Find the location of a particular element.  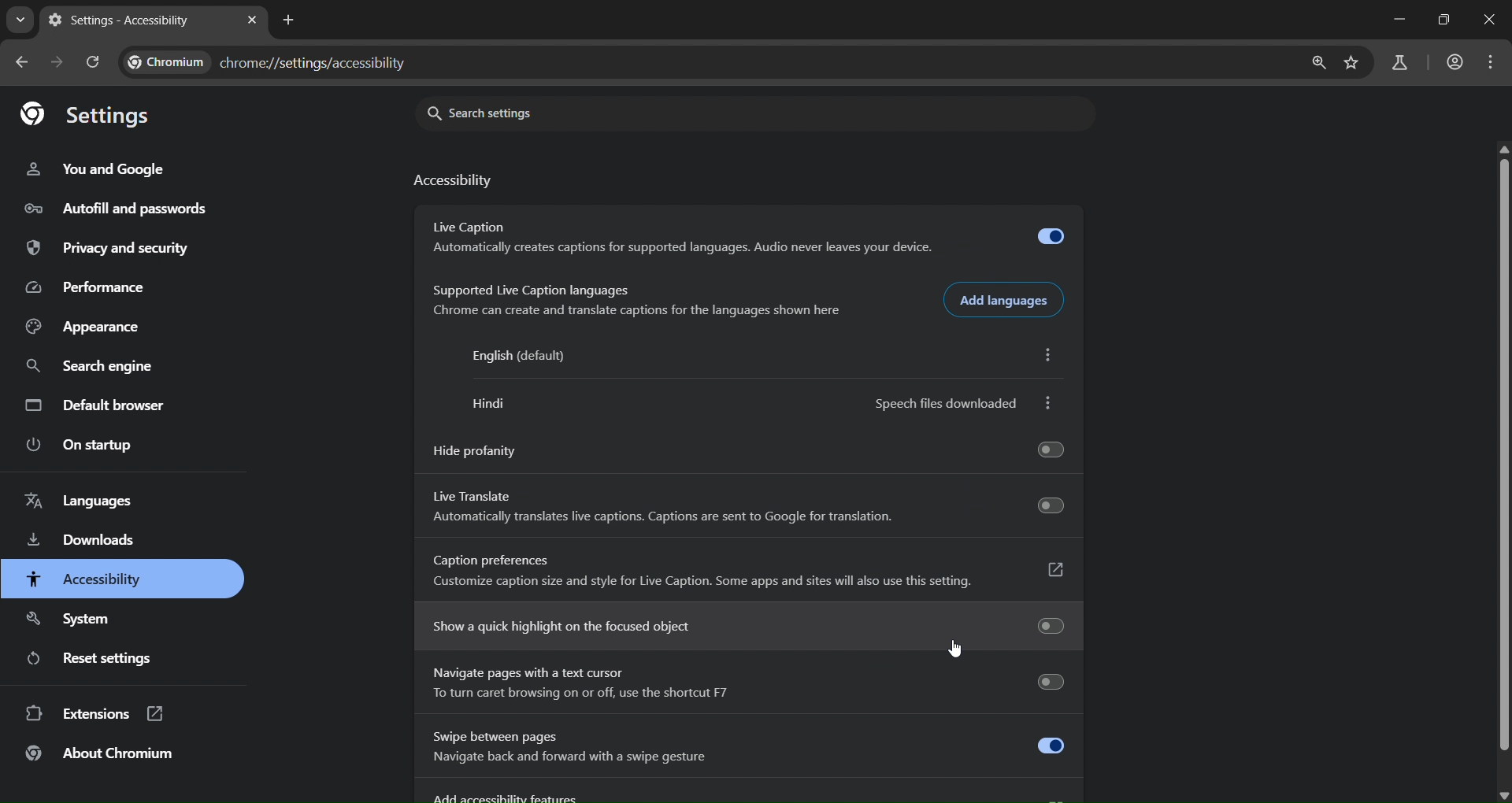

minimize is located at coordinates (1398, 21).